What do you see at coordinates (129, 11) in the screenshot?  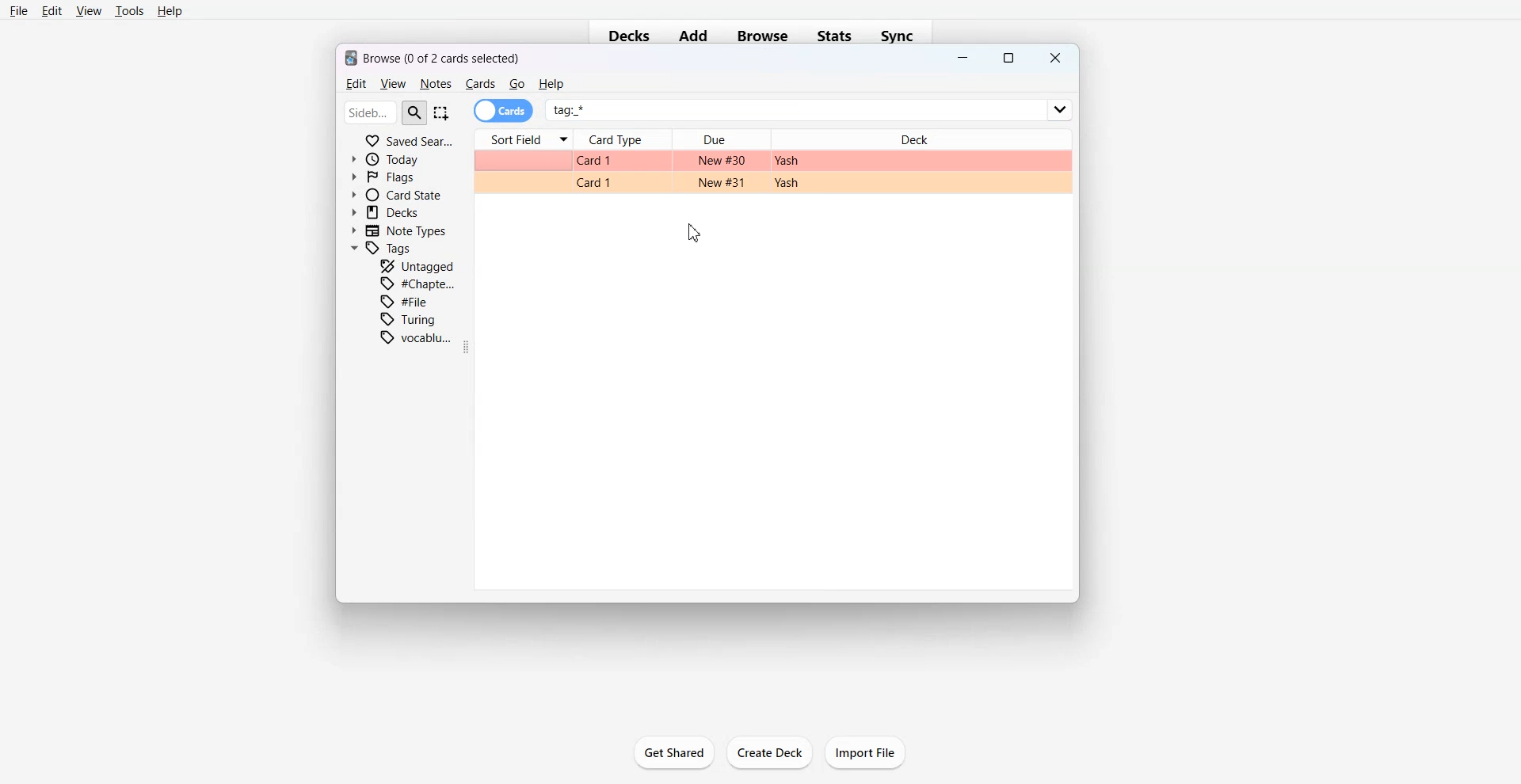 I see `Tools` at bounding box center [129, 11].